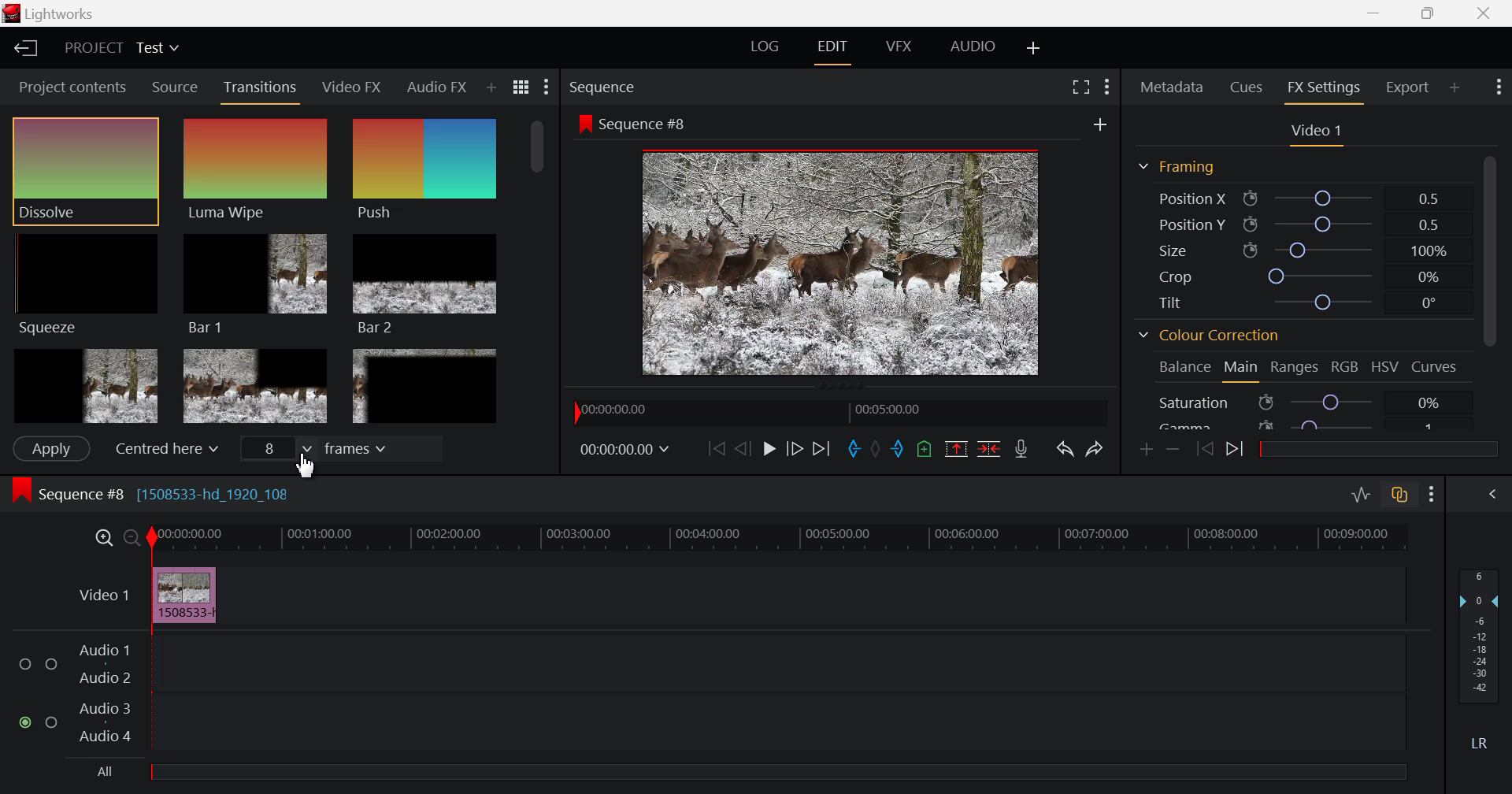  I want to click on Mark Cue, so click(926, 451).